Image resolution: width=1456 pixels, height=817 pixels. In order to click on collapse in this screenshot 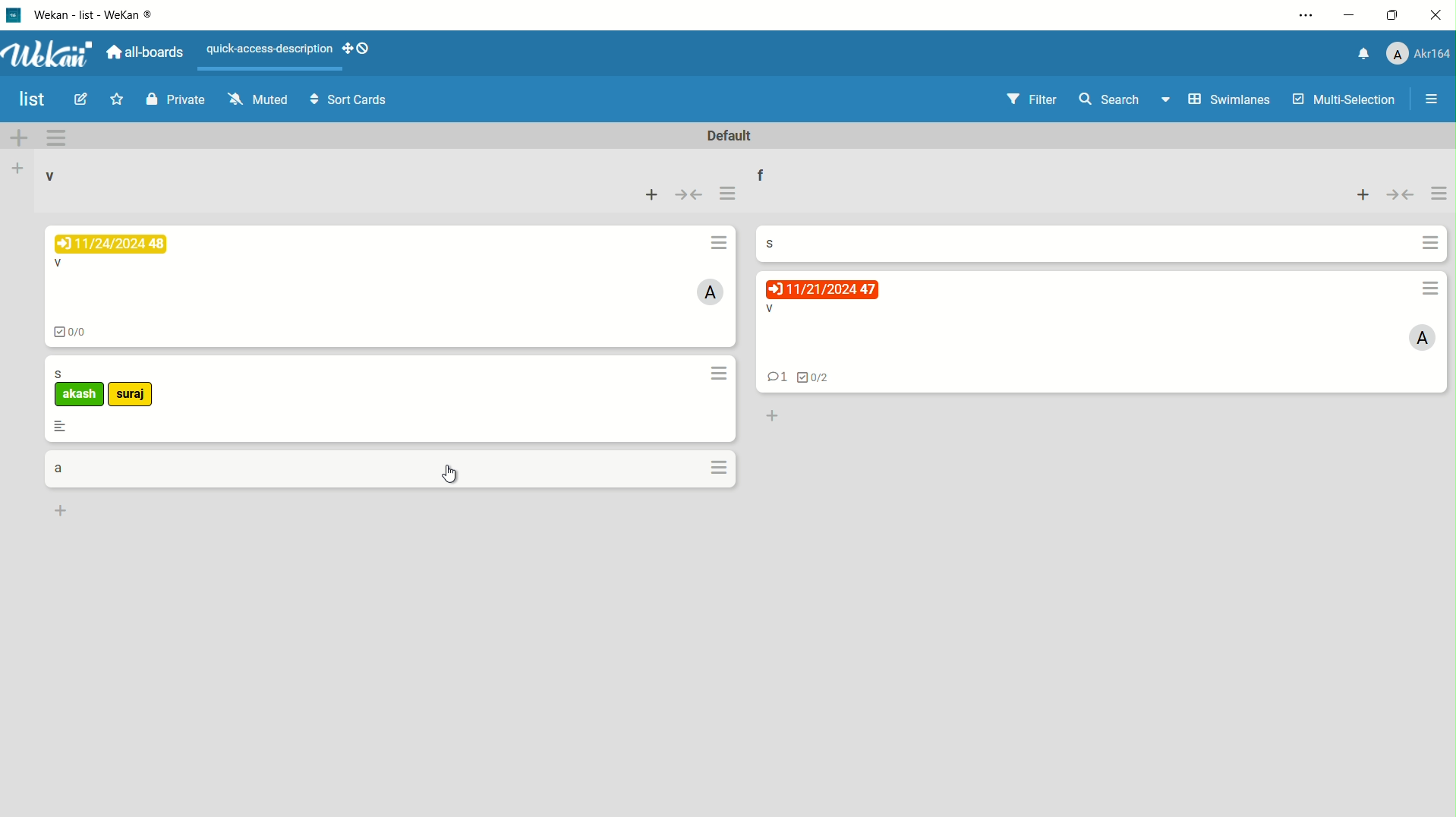, I will do `click(1402, 194)`.